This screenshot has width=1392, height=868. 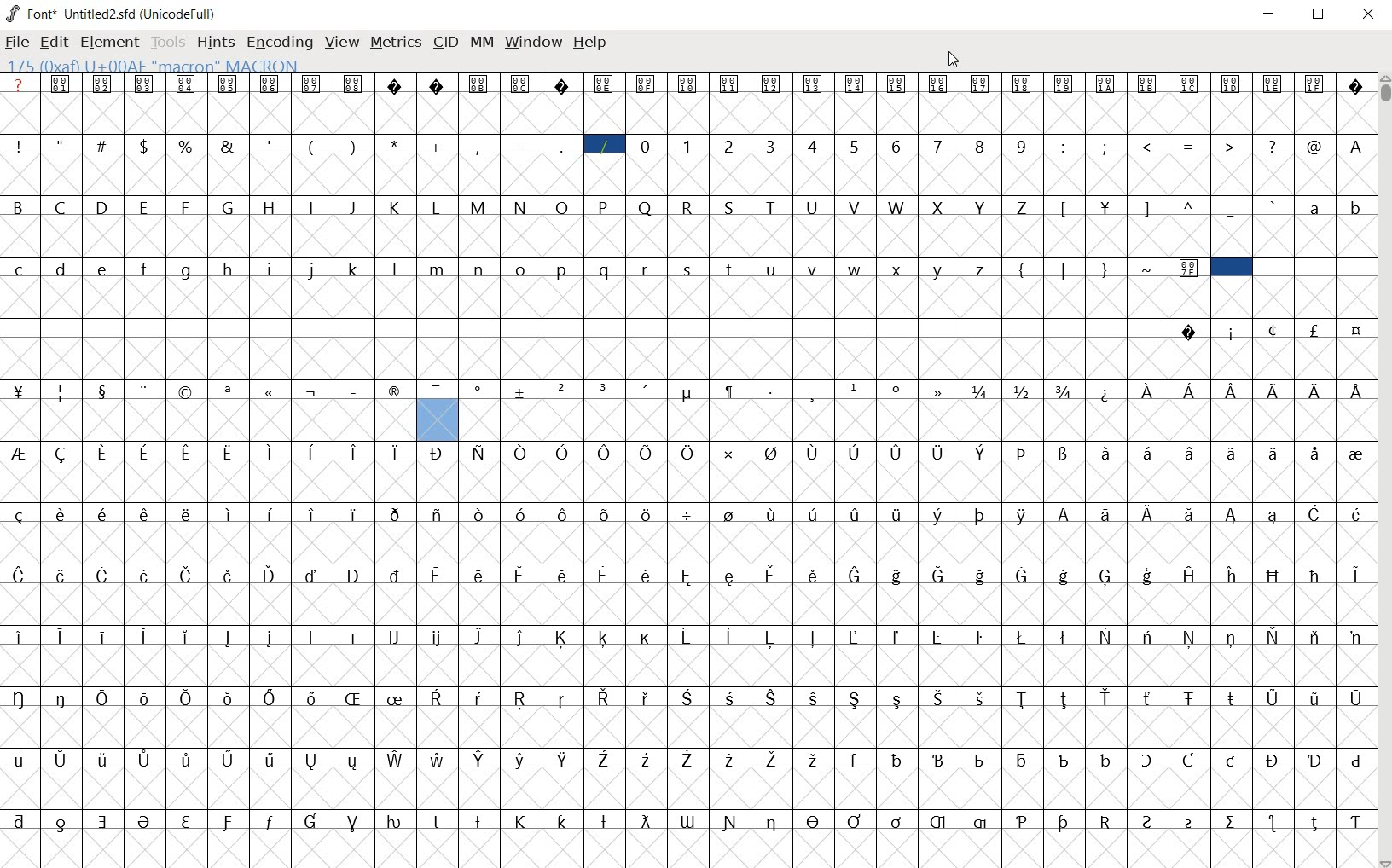 What do you see at coordinates (1357, 330) in the screenshot?
I see `Symbol` at bounding box center [1357, 330].